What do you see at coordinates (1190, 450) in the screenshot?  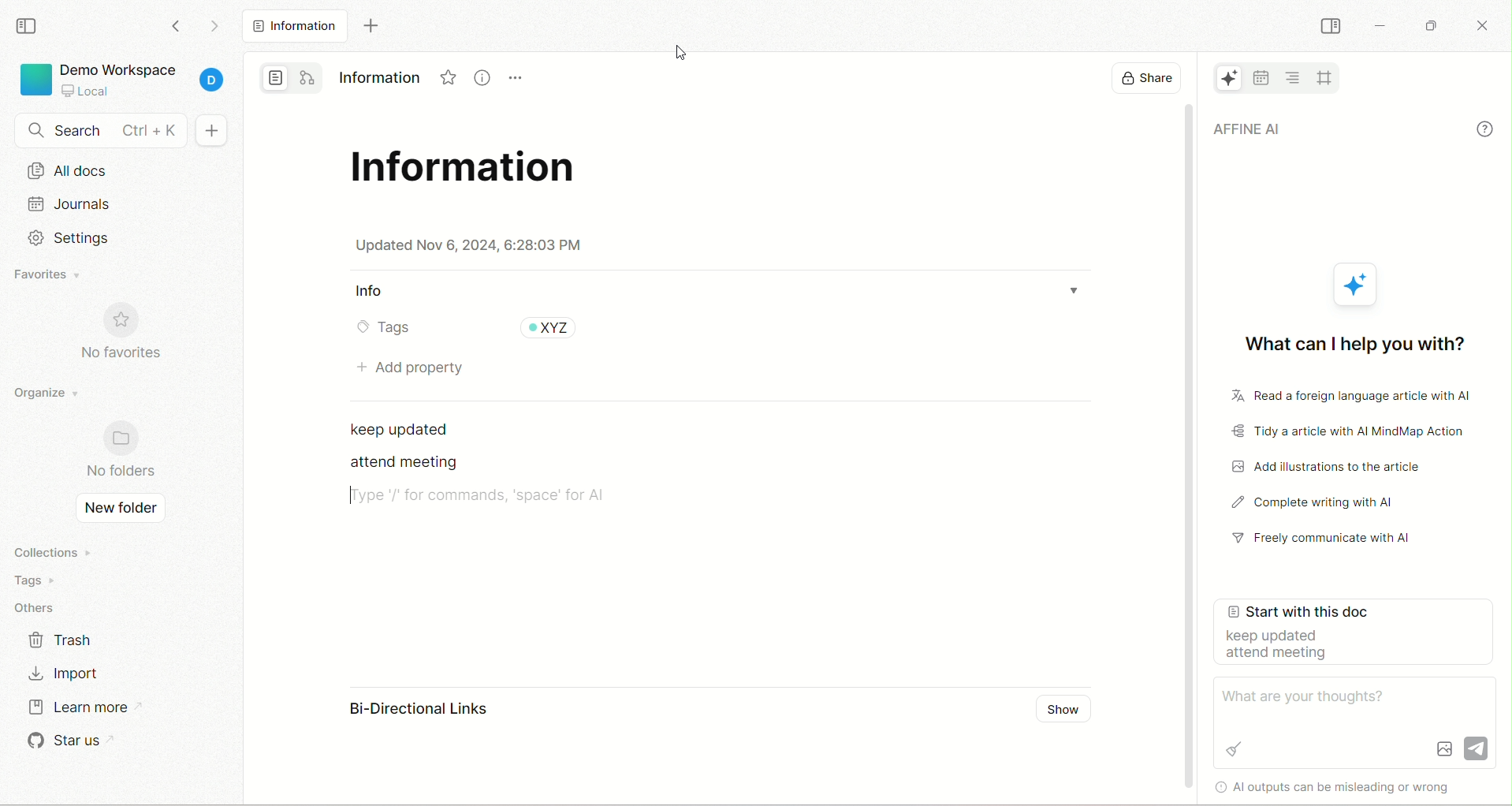 I see `scroll bar` at bounding box center [1190, 450].